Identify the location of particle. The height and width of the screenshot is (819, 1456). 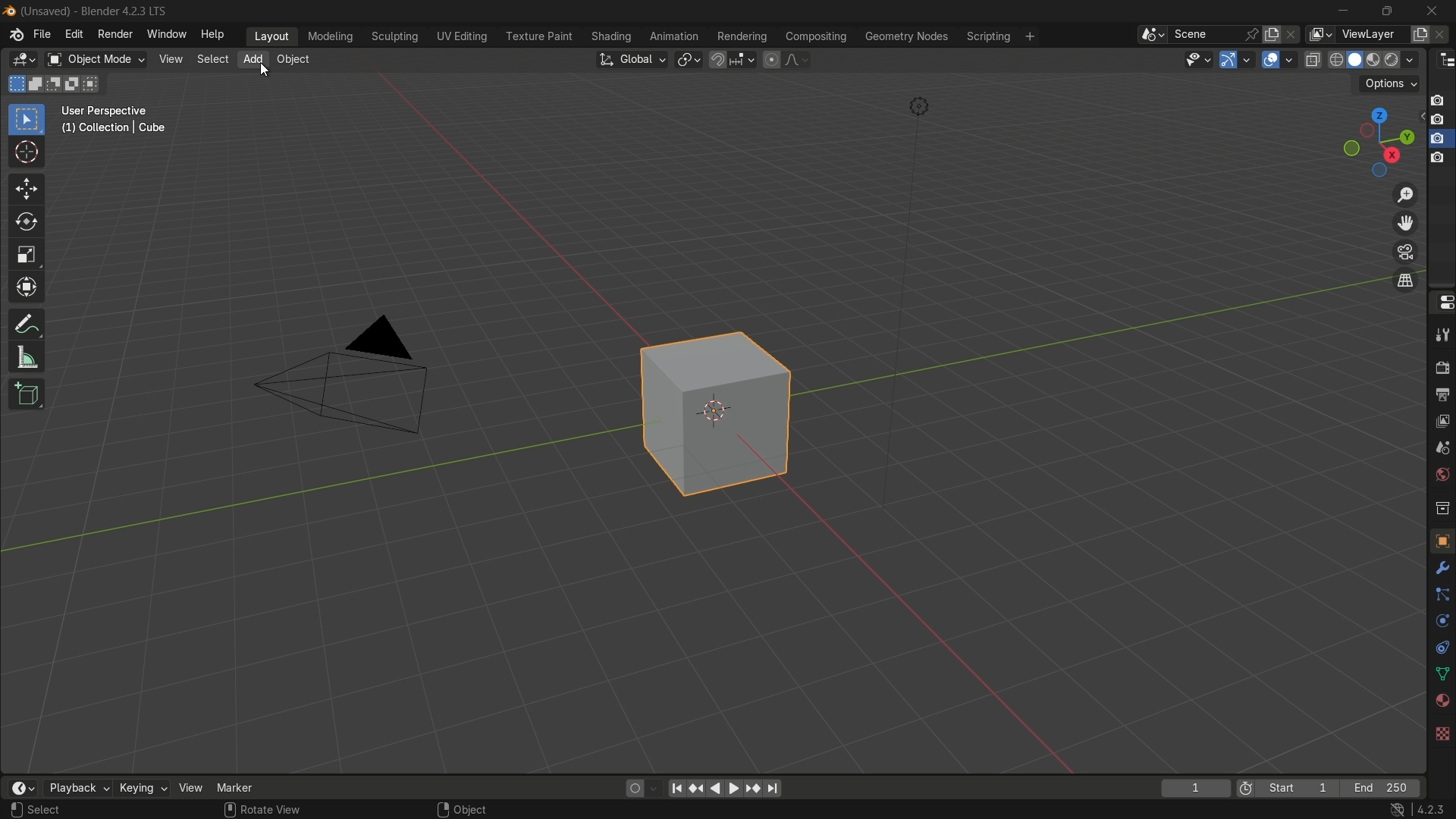
(1441, 596).